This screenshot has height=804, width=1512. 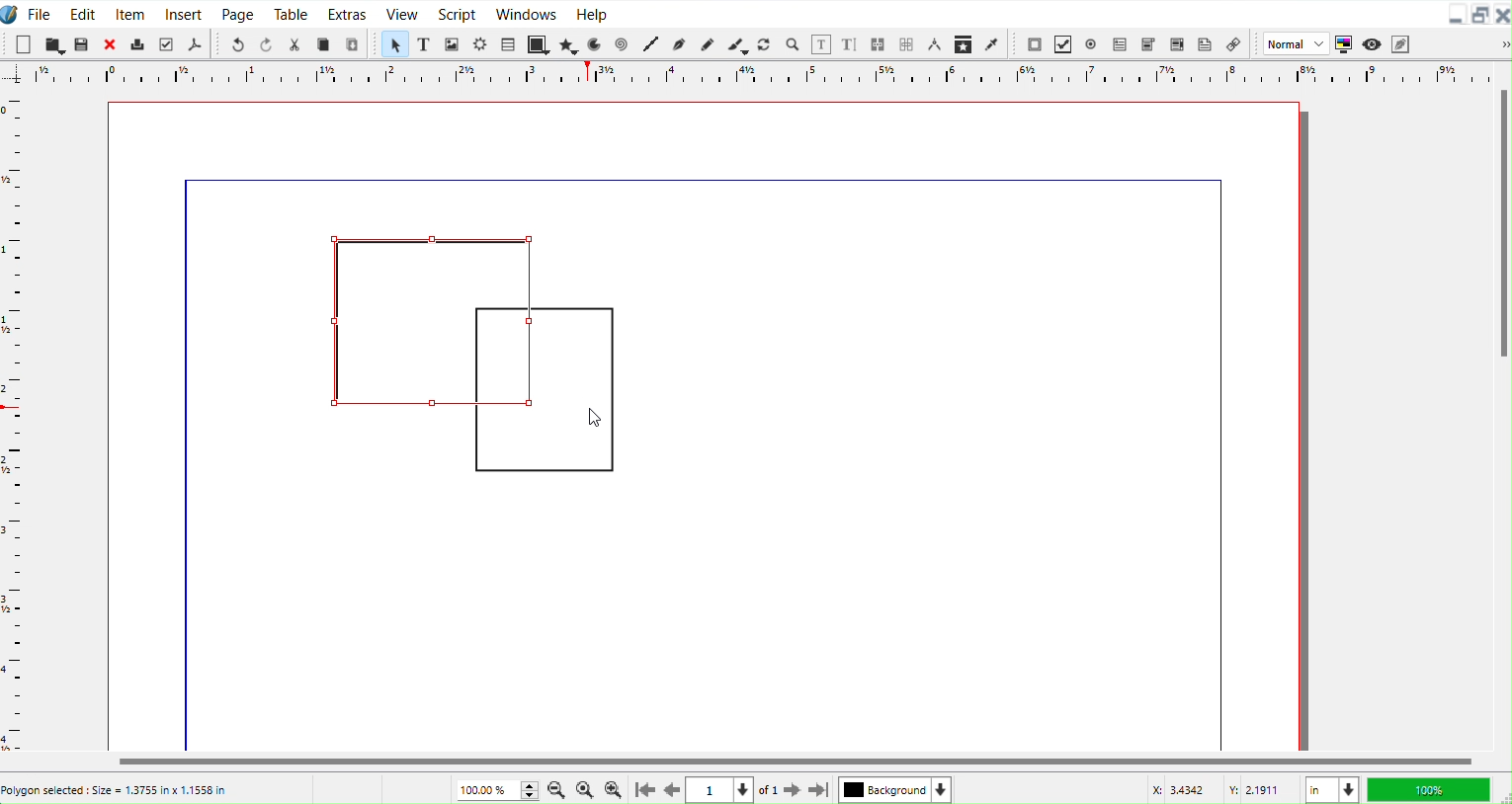 What do you see at coordinates (1432, 789) in the screenshot?
I see `100 % ` at bounding box center [1432, 789].